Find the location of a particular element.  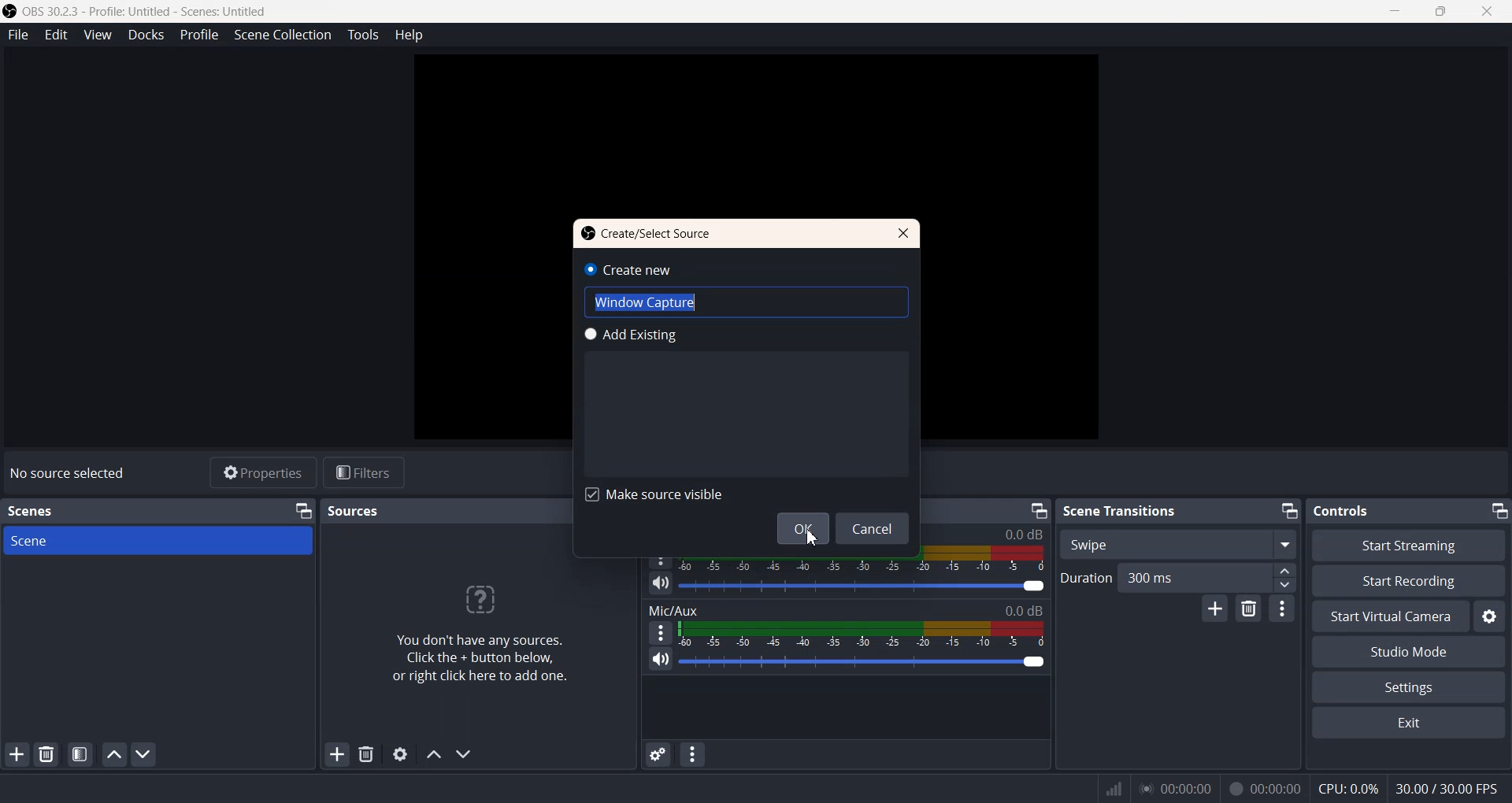

Minimize is located at coordinates (1039, 511).